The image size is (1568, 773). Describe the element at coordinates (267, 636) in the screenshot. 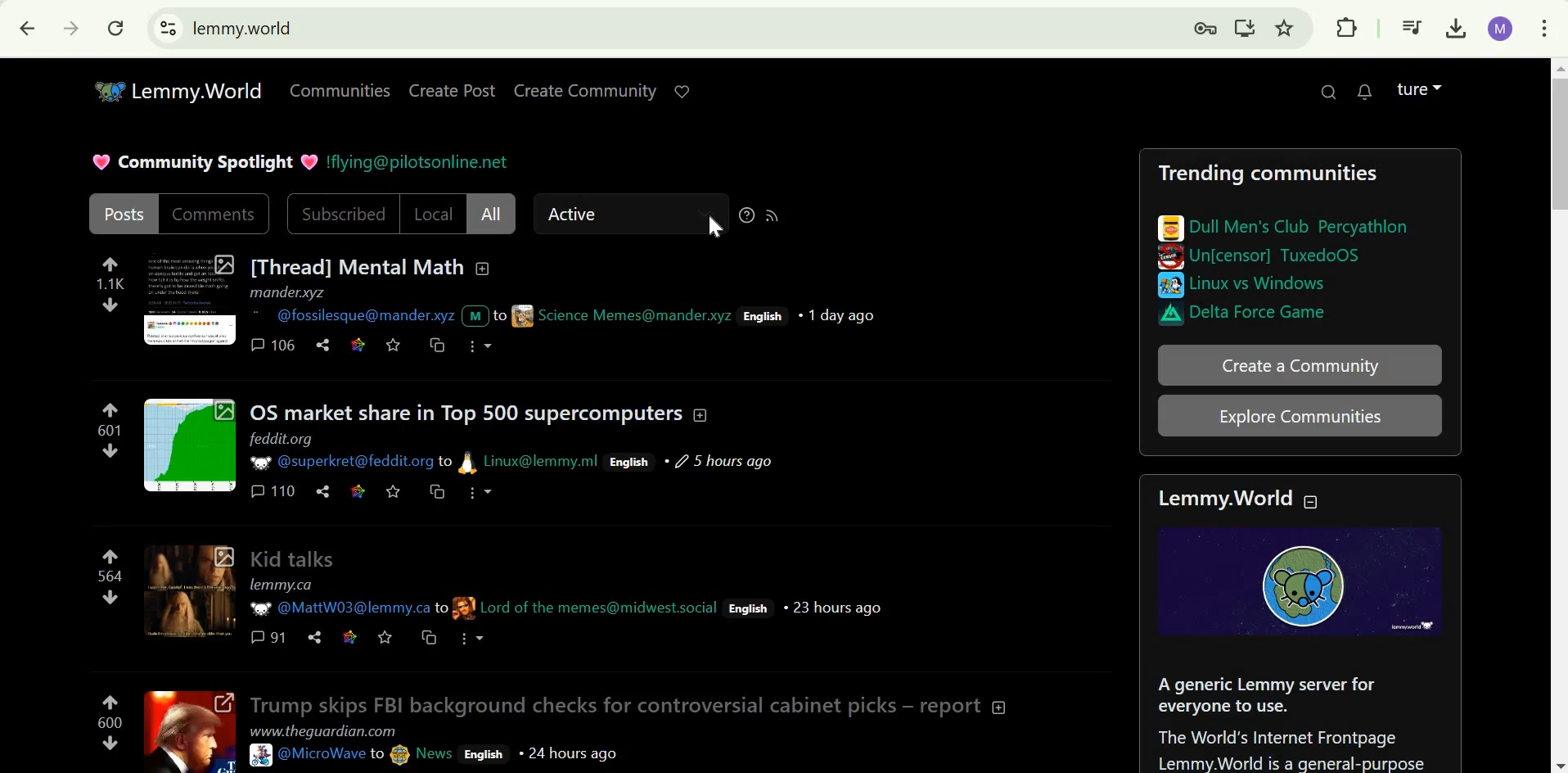

I see `comments` at that location.